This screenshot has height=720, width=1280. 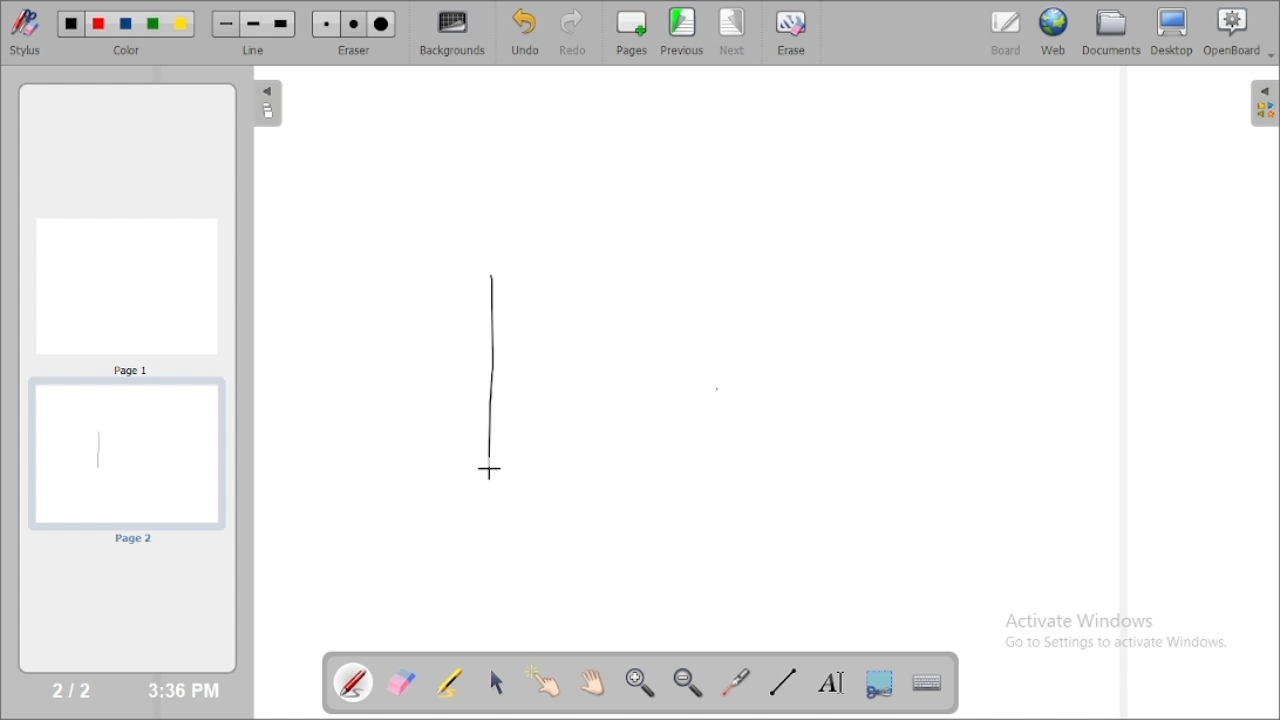 I want to click on redo, so click(x=578, y=32).